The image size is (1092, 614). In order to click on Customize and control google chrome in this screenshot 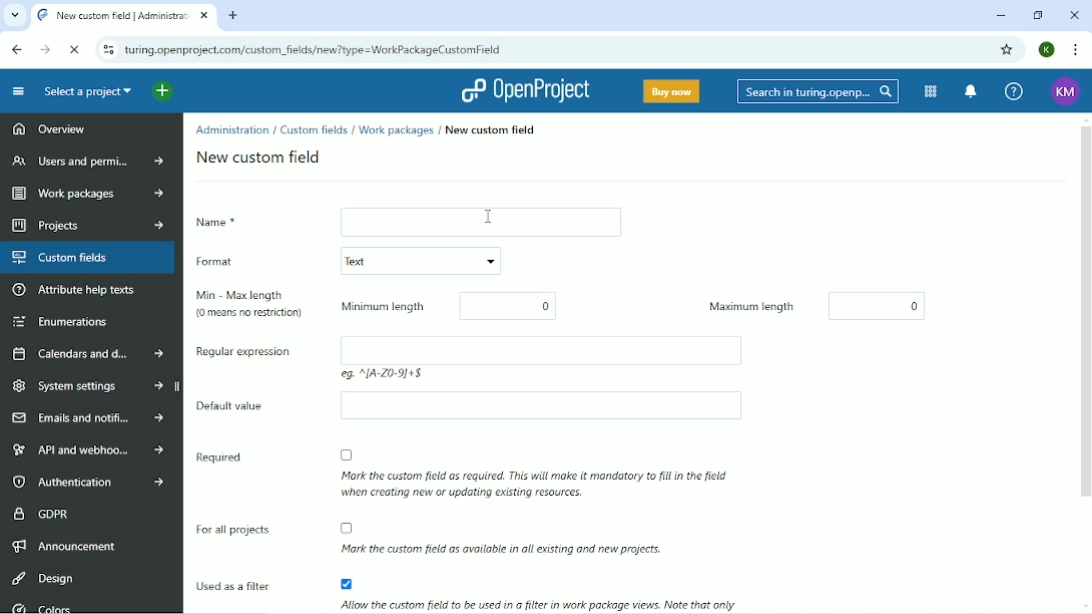, I will do `click(1074, 49)`.